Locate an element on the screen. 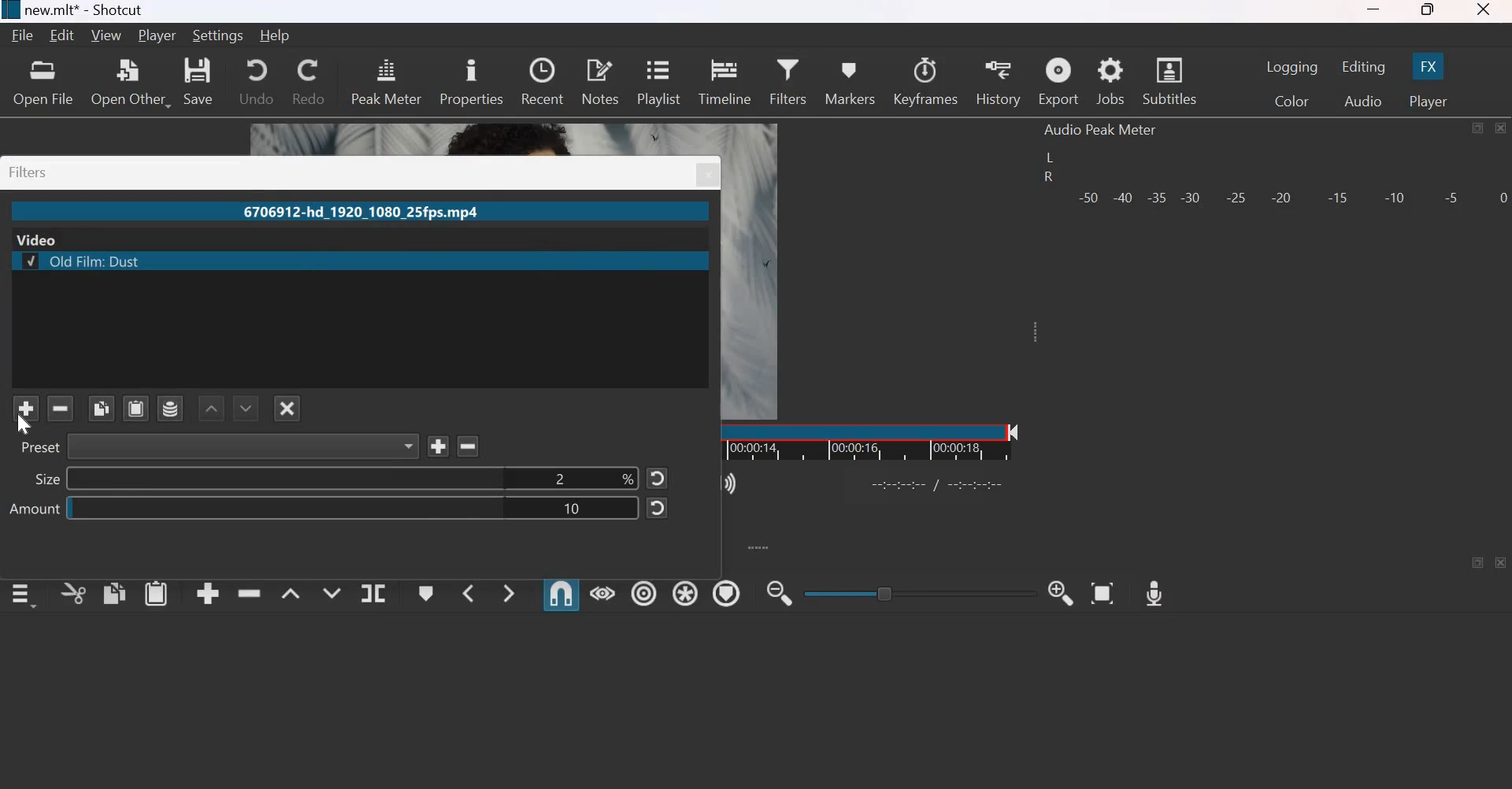  % is located at coordinates (628, 477).